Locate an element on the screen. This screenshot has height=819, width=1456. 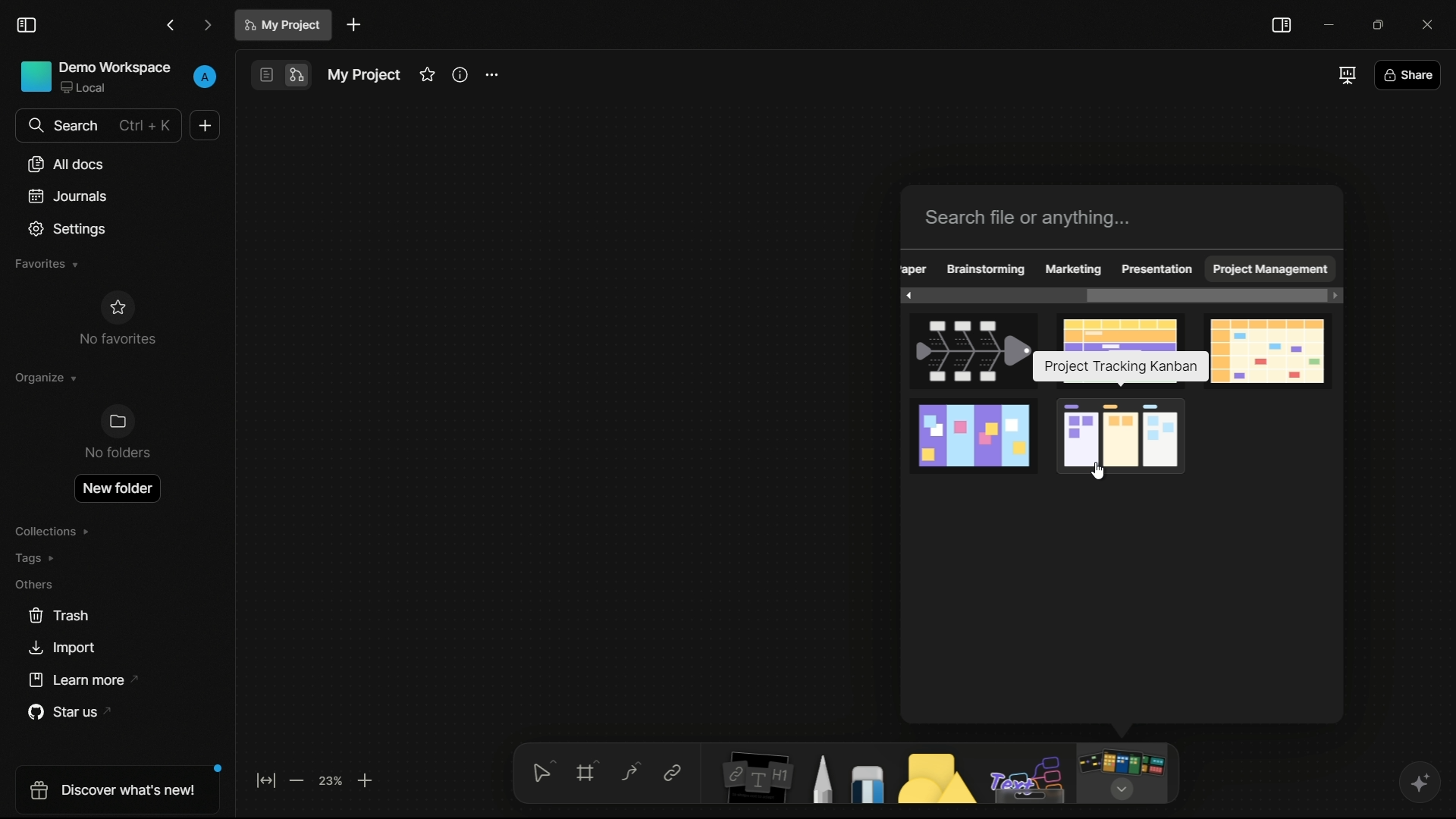
others is located at coordinates (1029, 780).